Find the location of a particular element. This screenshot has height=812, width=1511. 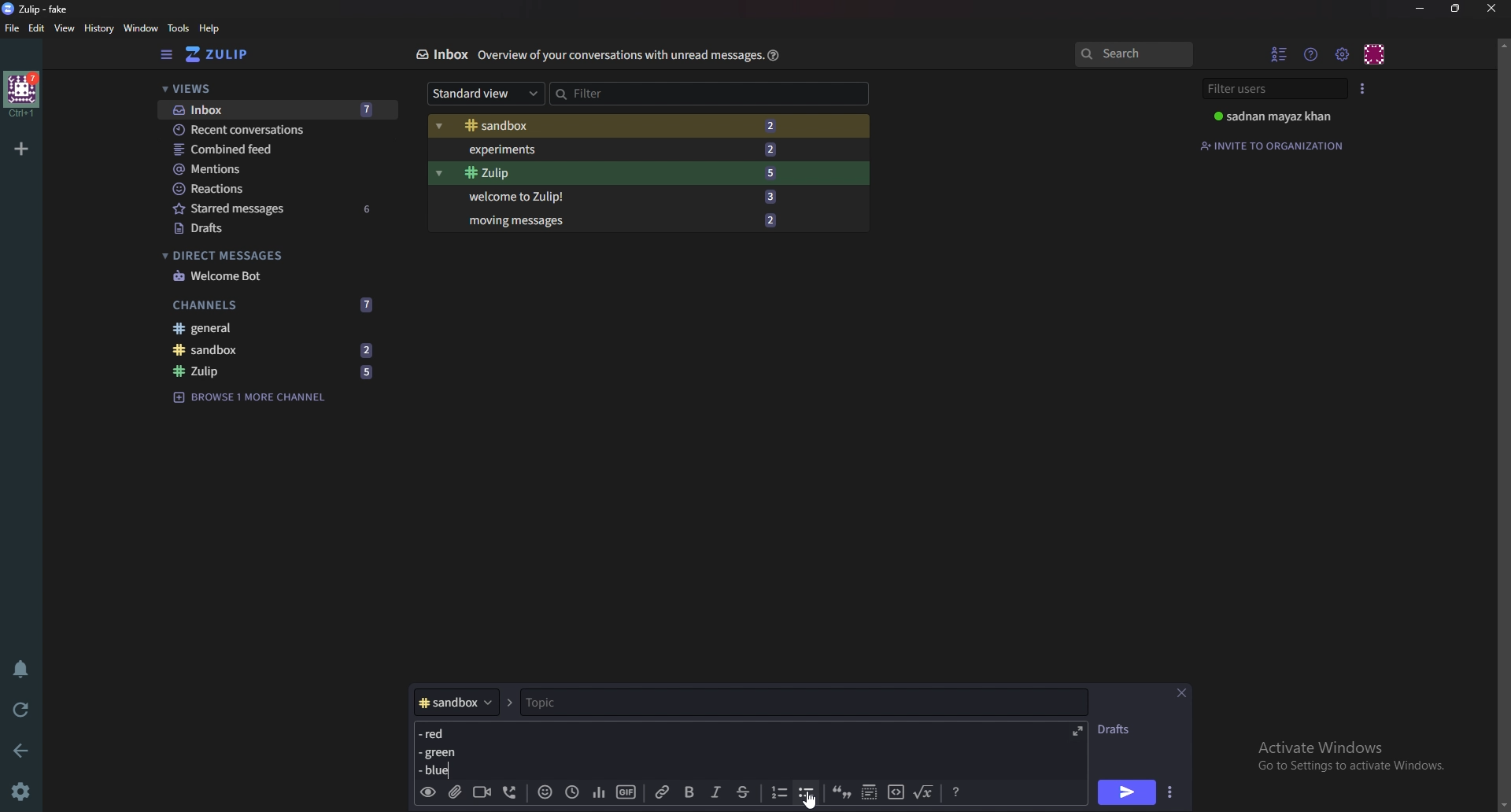

Standard view is located at coordinates (486, 92).